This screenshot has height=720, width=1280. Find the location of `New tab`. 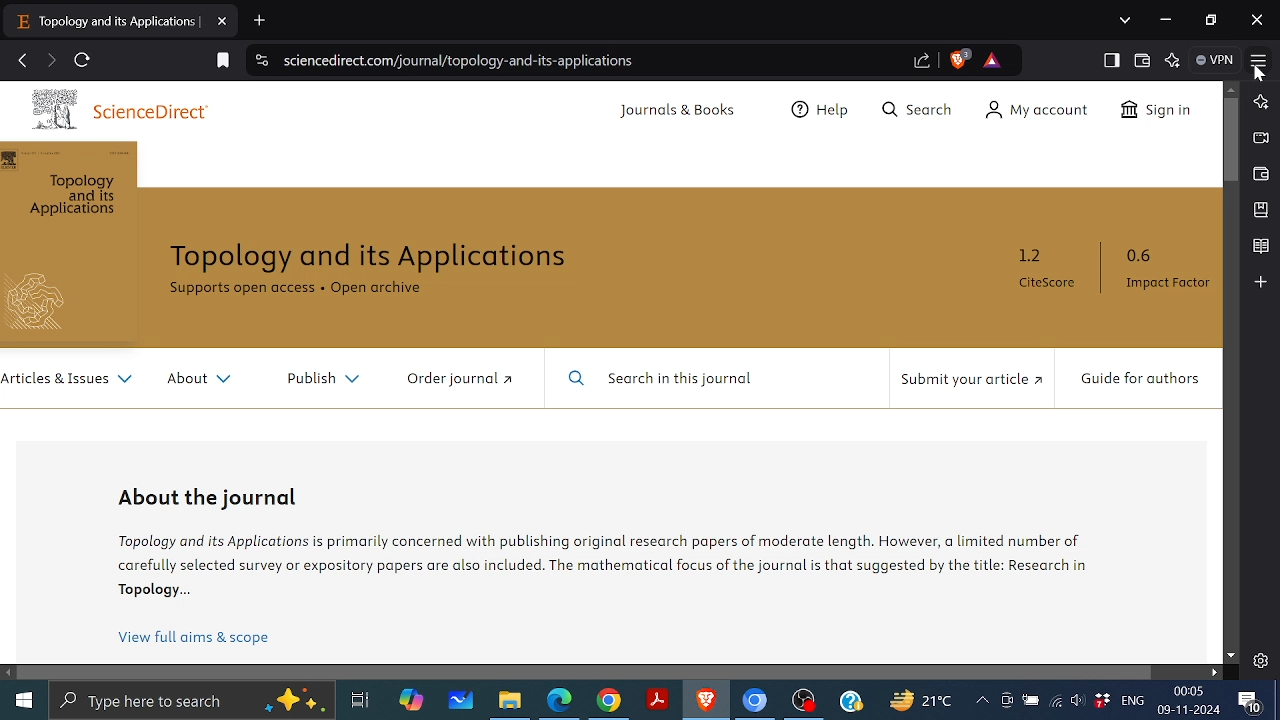

New tab is located at coordinates (259, 20).